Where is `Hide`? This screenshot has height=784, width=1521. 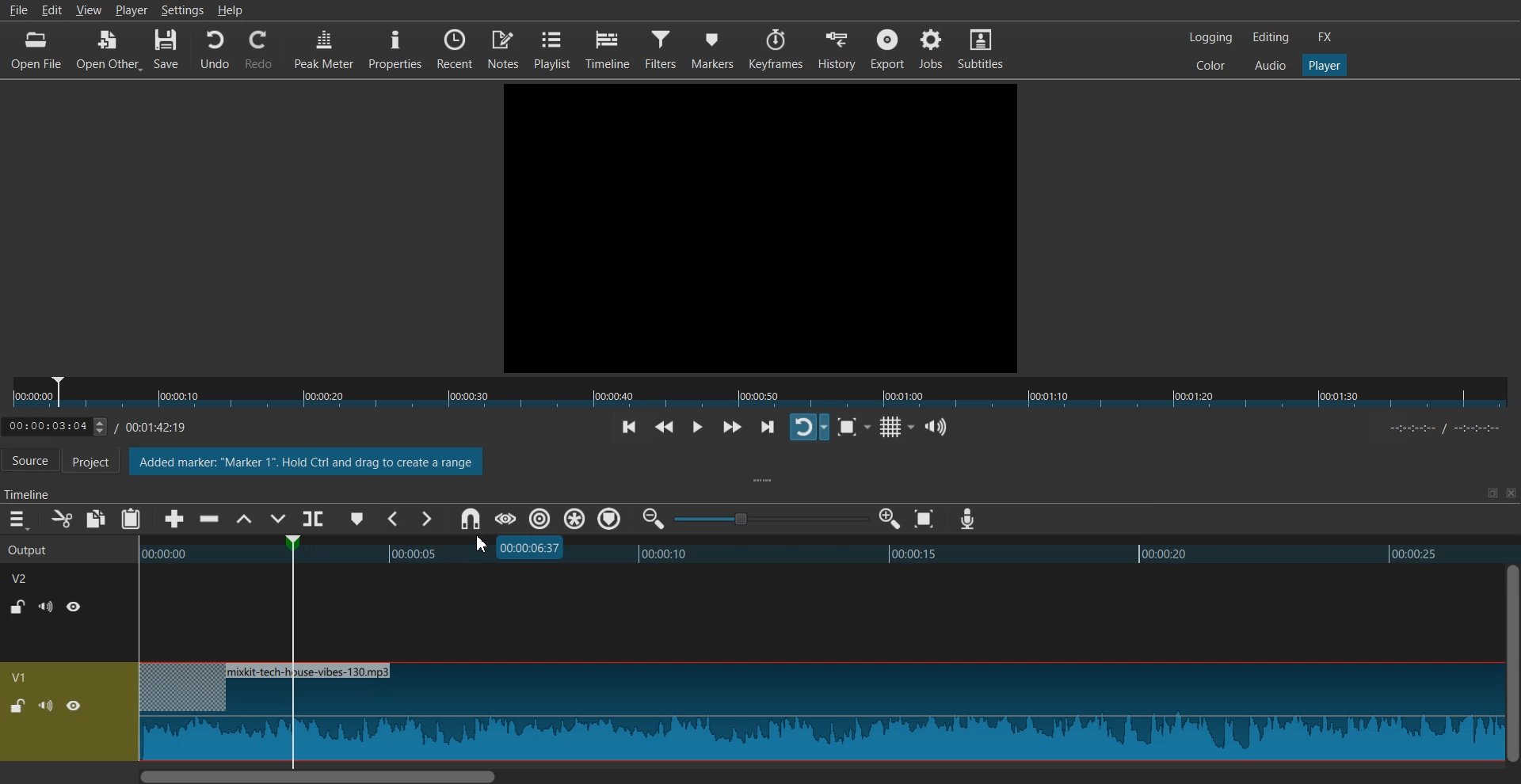
Hide is located at coordinates (74, 706).